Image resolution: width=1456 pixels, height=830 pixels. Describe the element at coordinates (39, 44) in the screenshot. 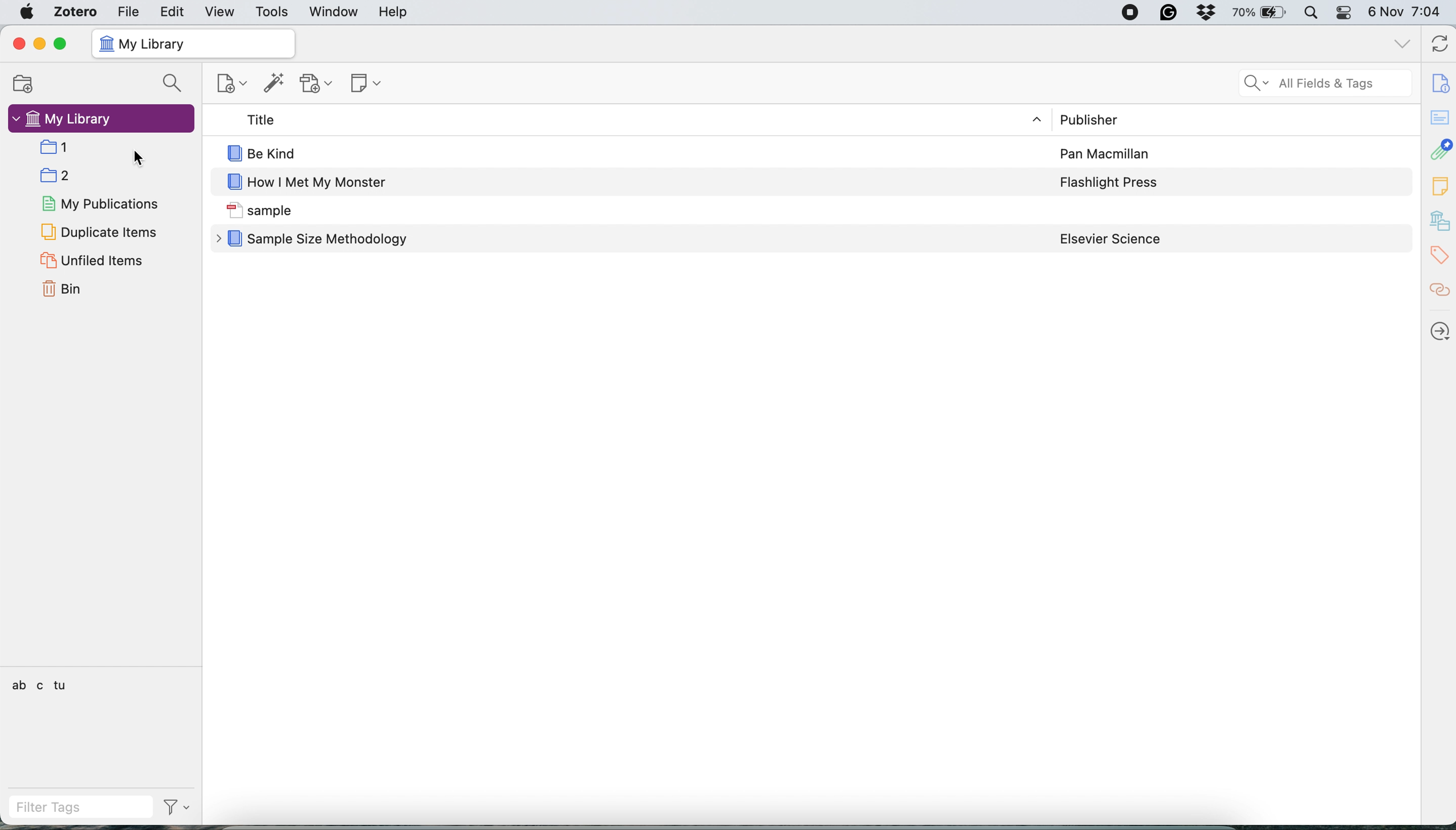

I see `minimise` at that location.